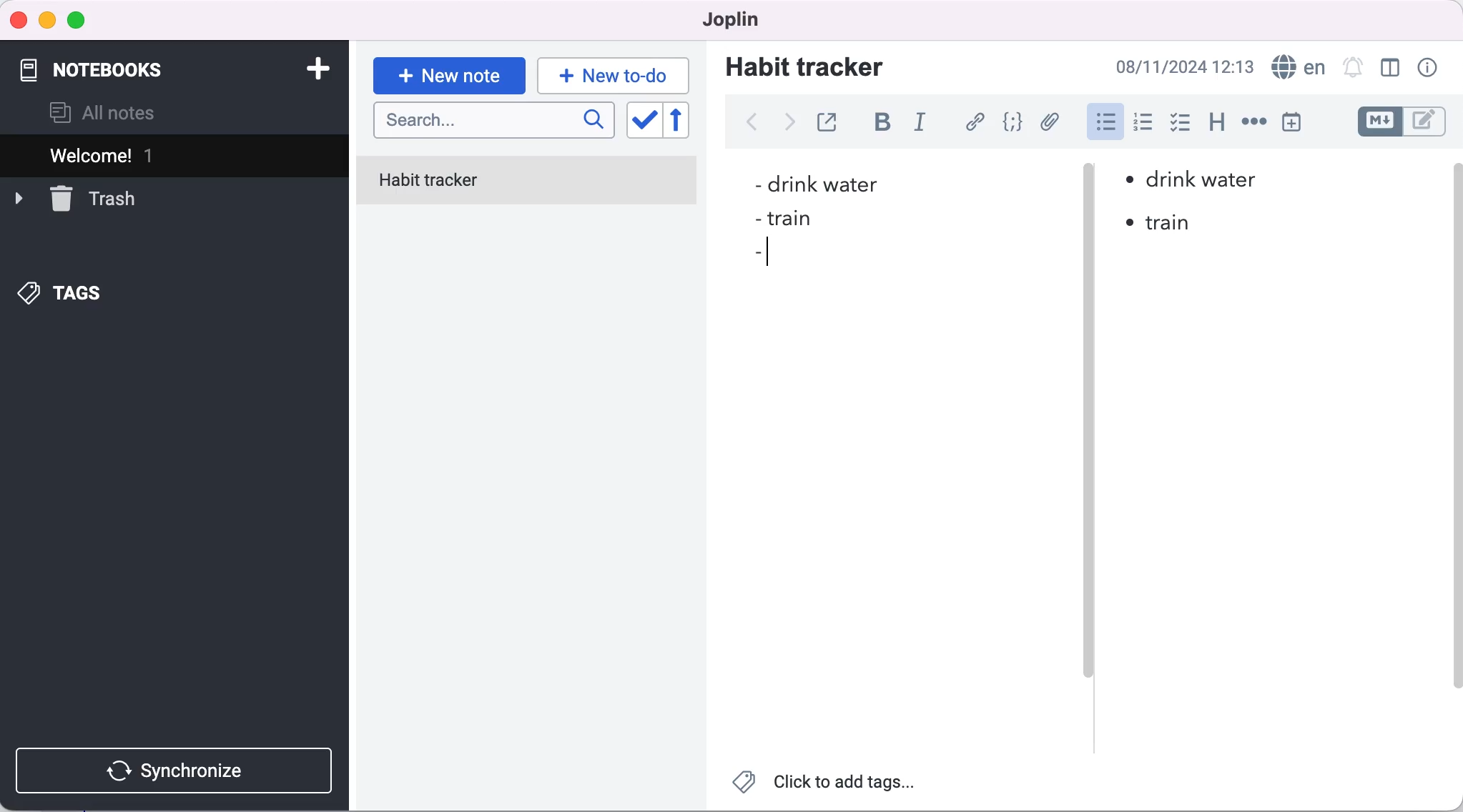 The image size is (1463, 812). I want to click on language, so click(1296, 67).